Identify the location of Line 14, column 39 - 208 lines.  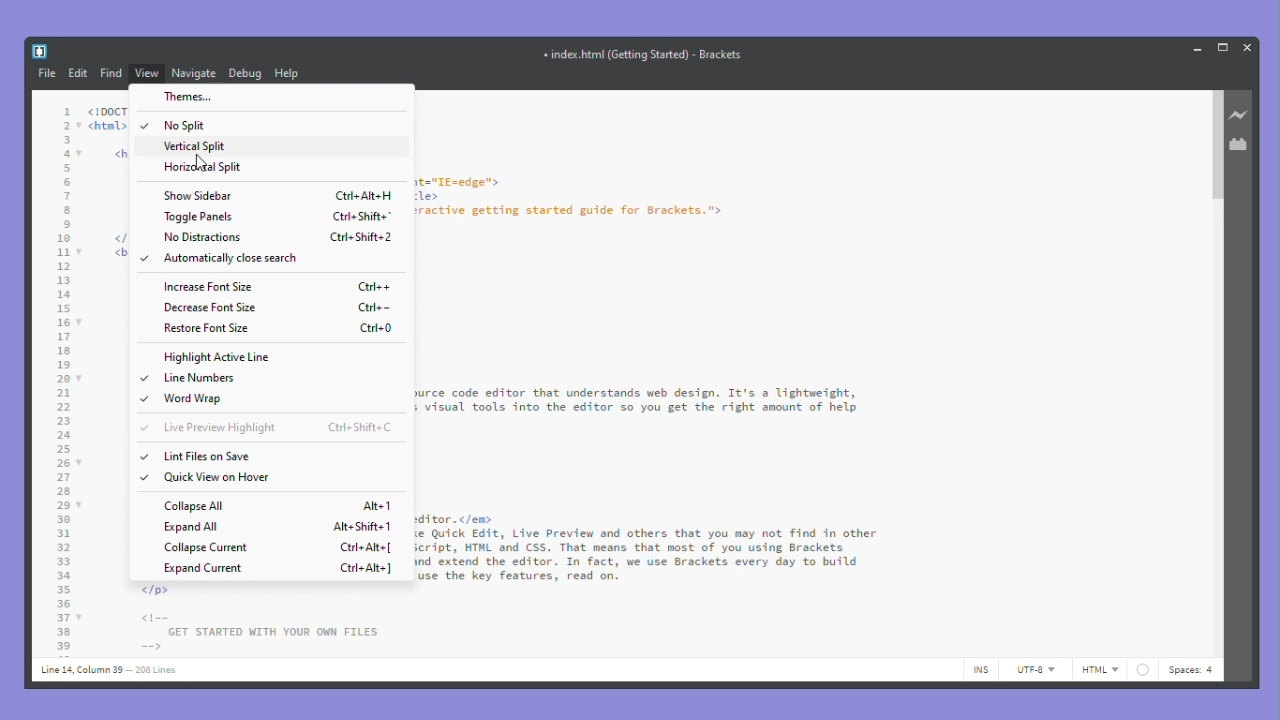
(107, 671).